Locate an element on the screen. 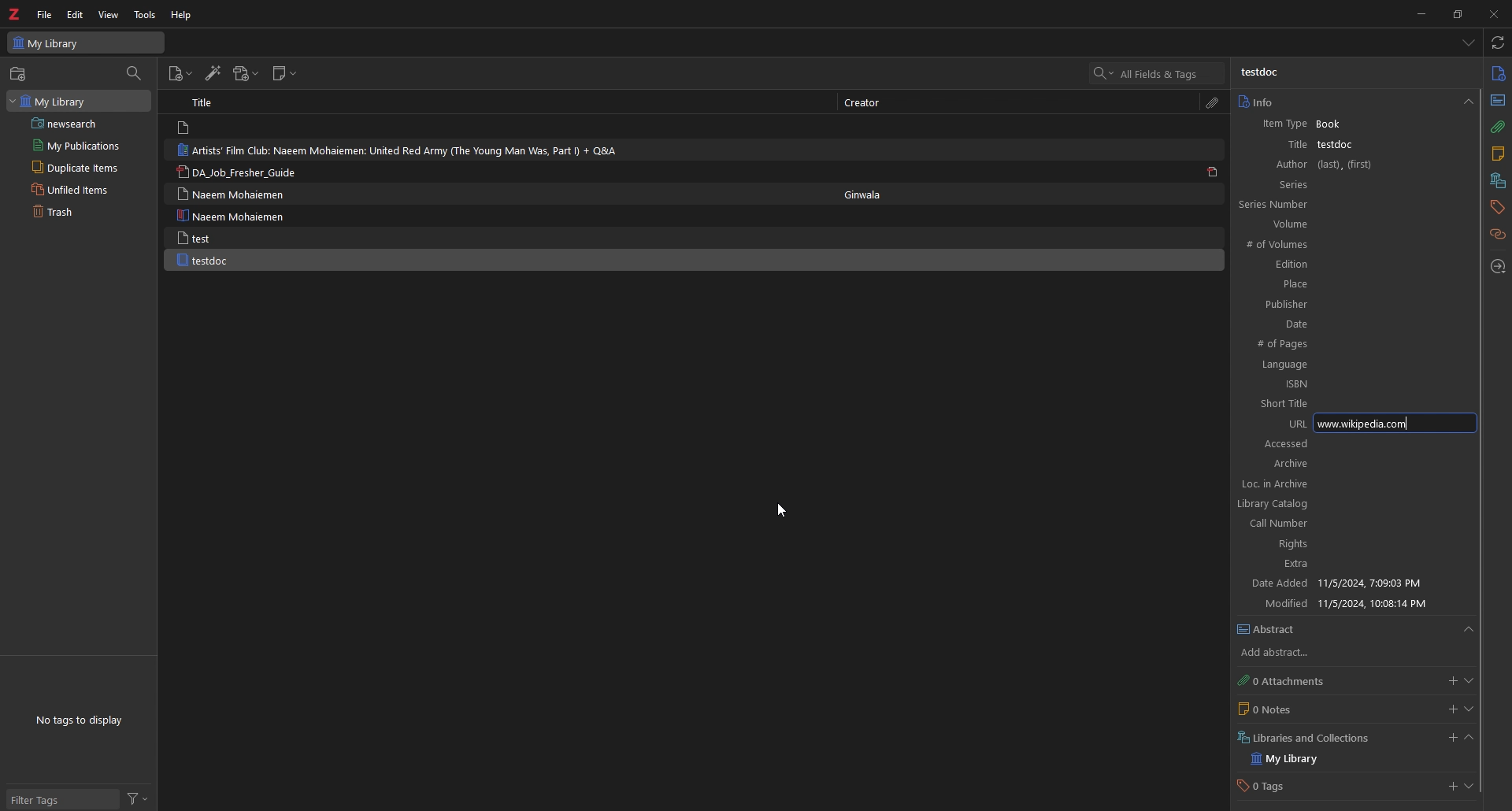  list all items is located at coordinates (1466, 42).